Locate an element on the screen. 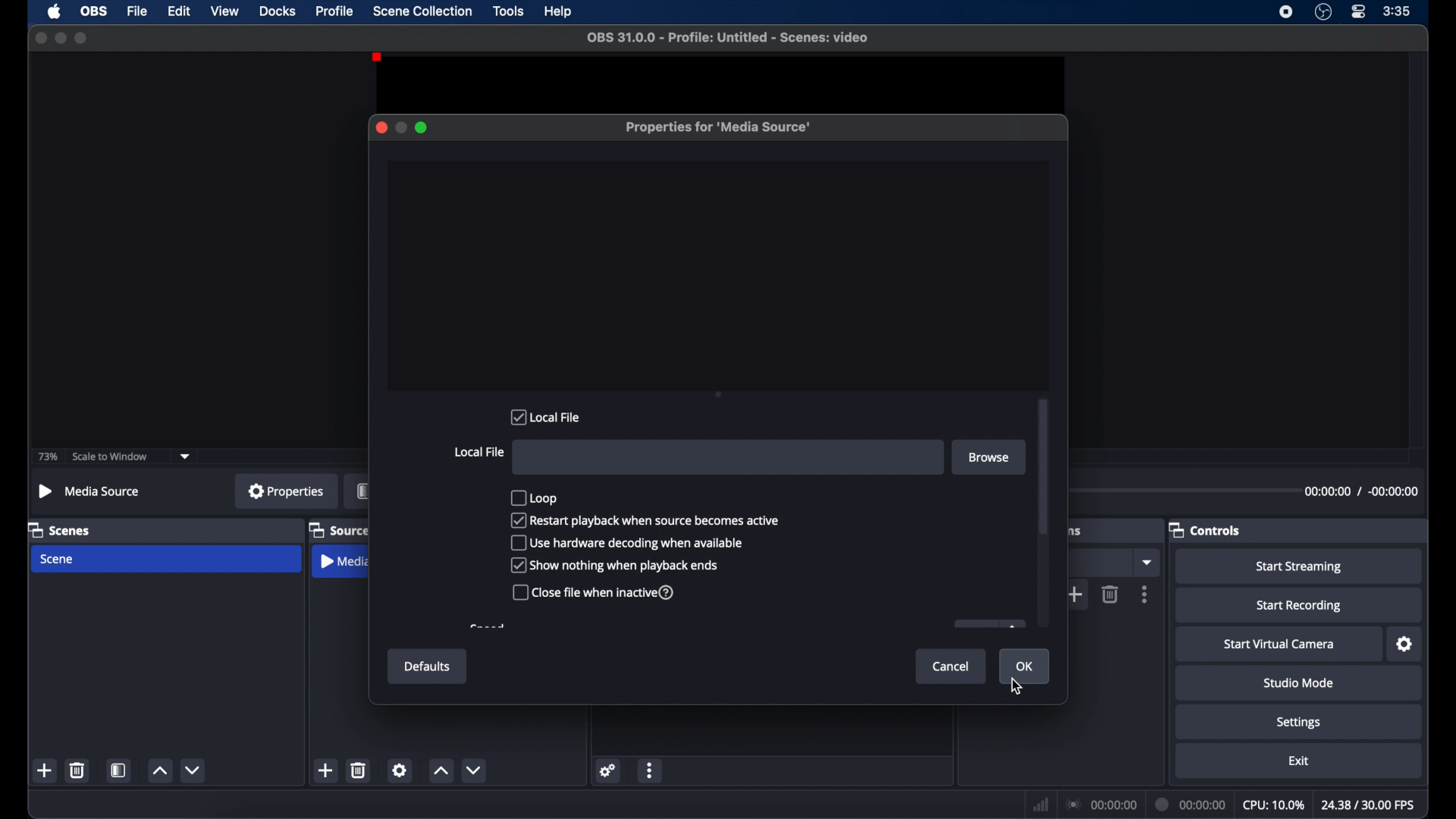 The image size is (1456, 819). settings is located at coordinates (400, 770).